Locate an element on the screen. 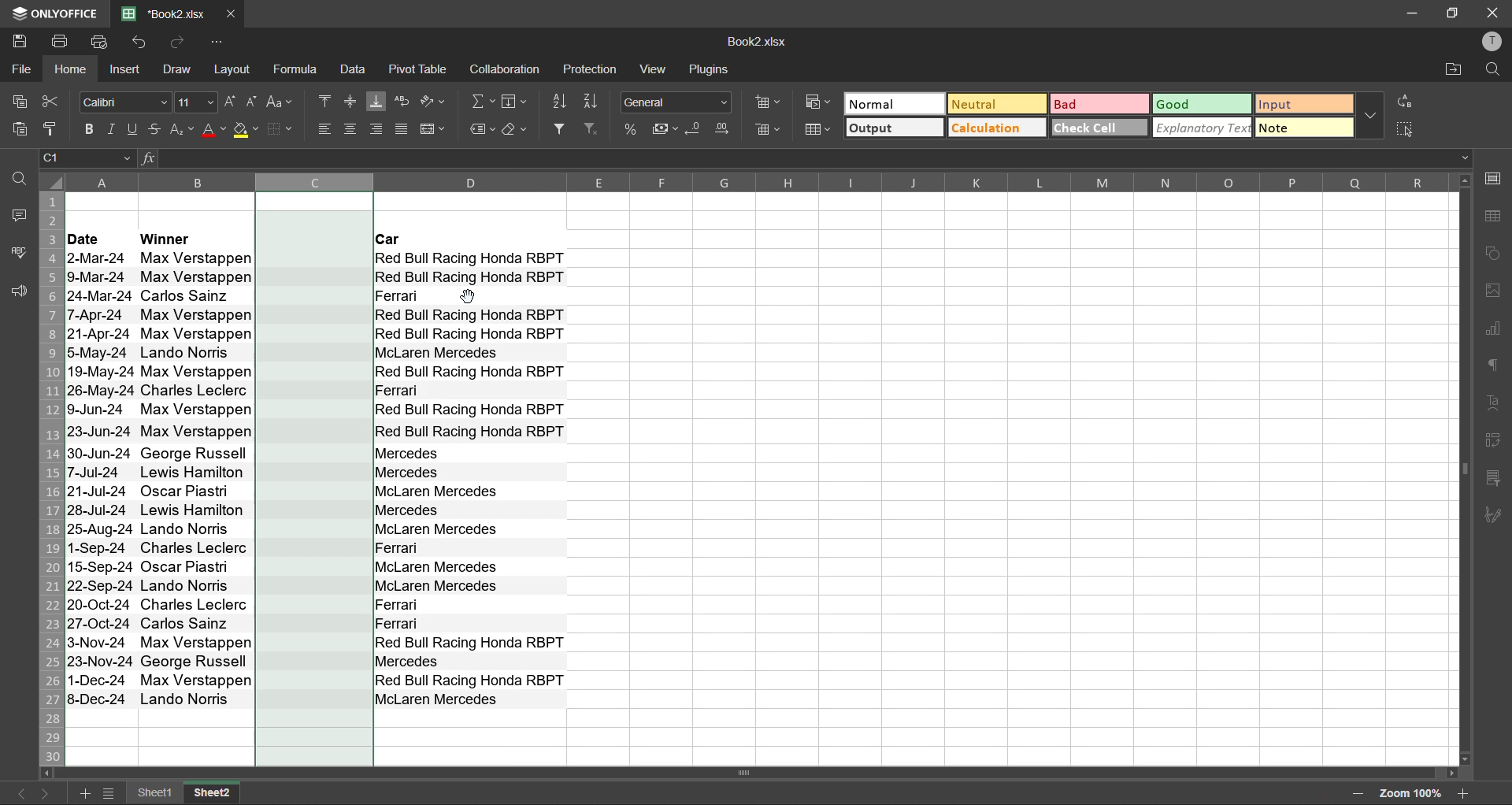 This screenshot has height=805, width=1512. text is located at coordinates (1492, 405).